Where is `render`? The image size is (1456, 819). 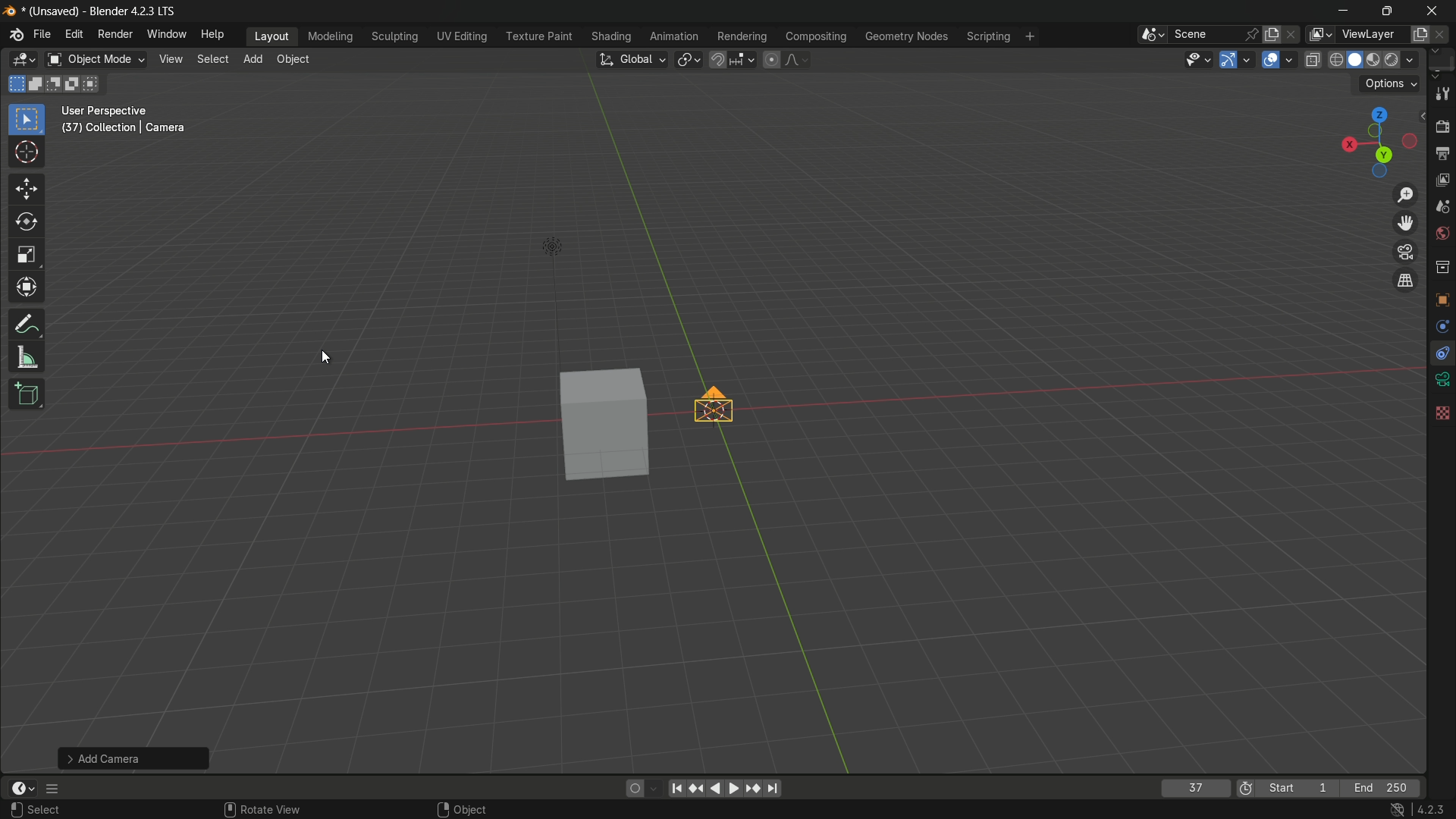 render is located at coordinates (1405, 58).